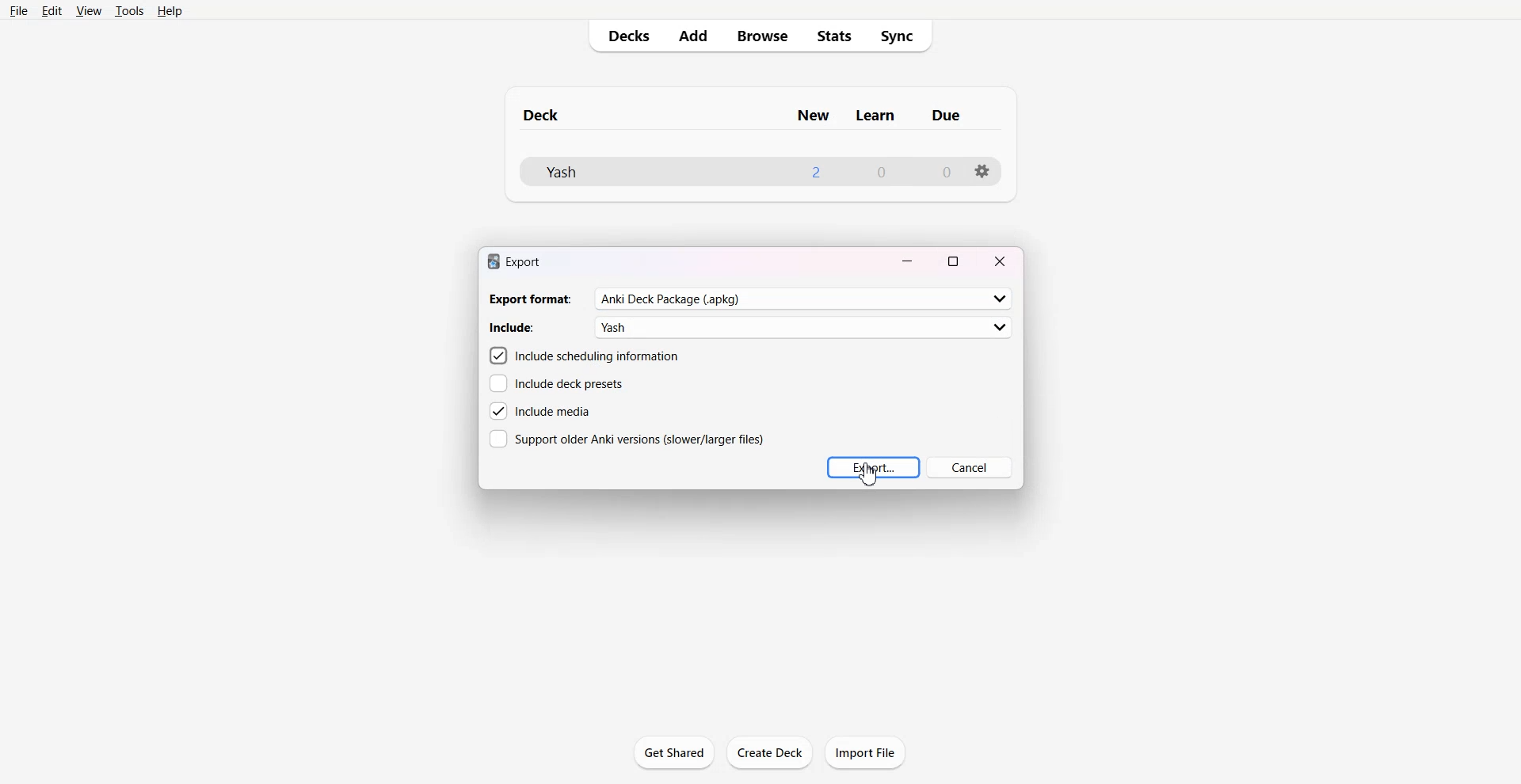 The image size is (1521, 784). I want to click on Support older Anki versions, so click(627, 438).